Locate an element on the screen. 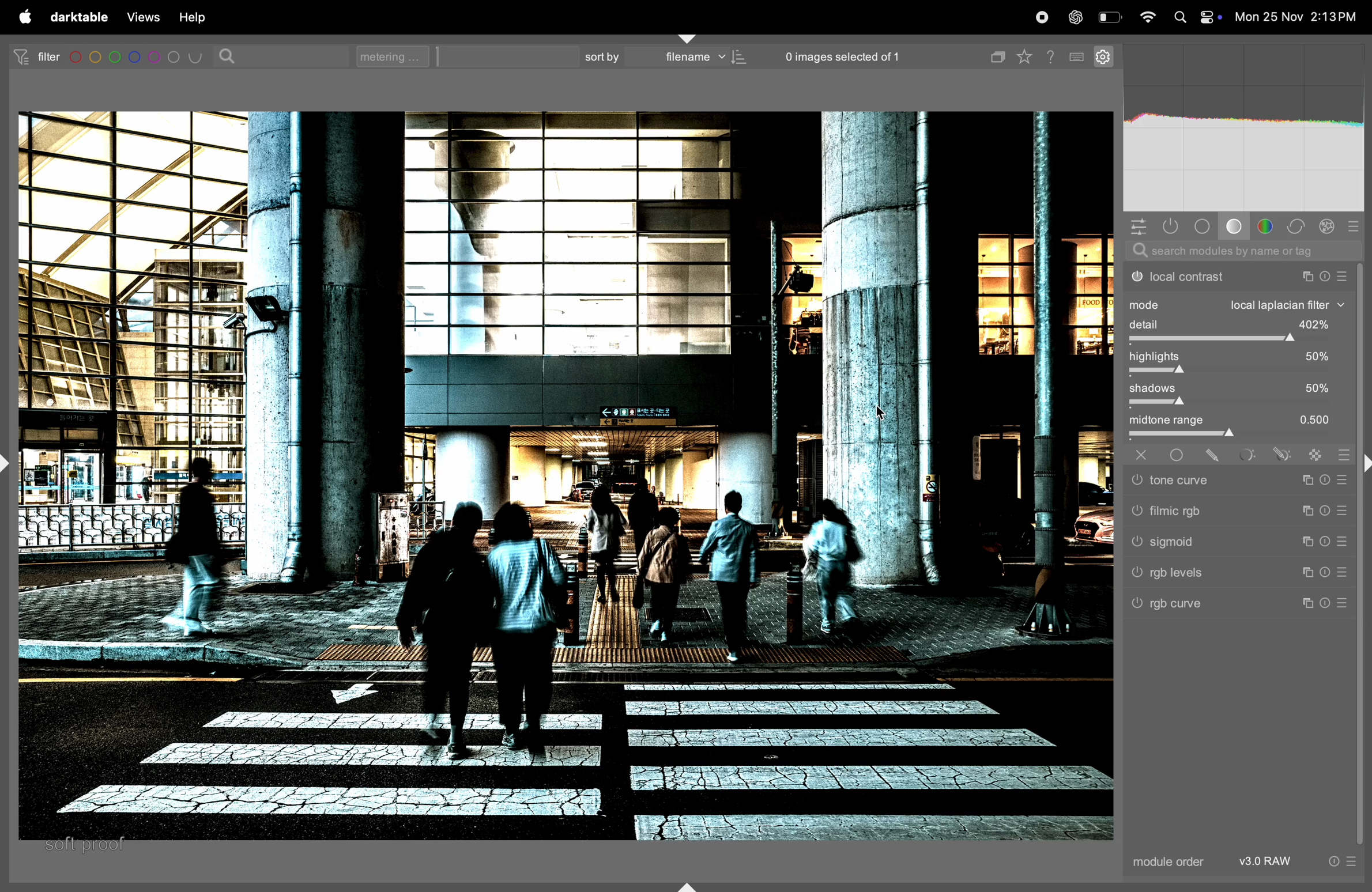 The width and height of the screenshot is (1372, 892). toggle is located at coordinates (1238, 404).